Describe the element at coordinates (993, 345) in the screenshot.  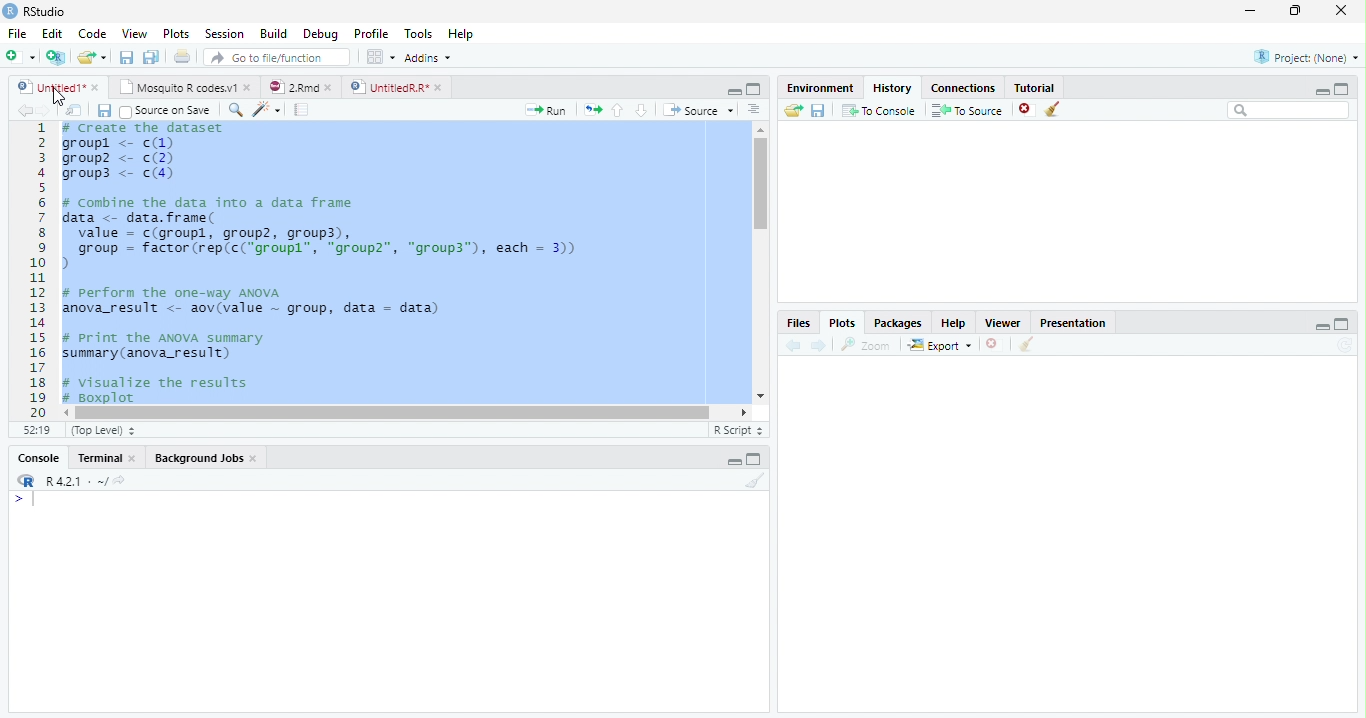
I see `Delete` at that location.